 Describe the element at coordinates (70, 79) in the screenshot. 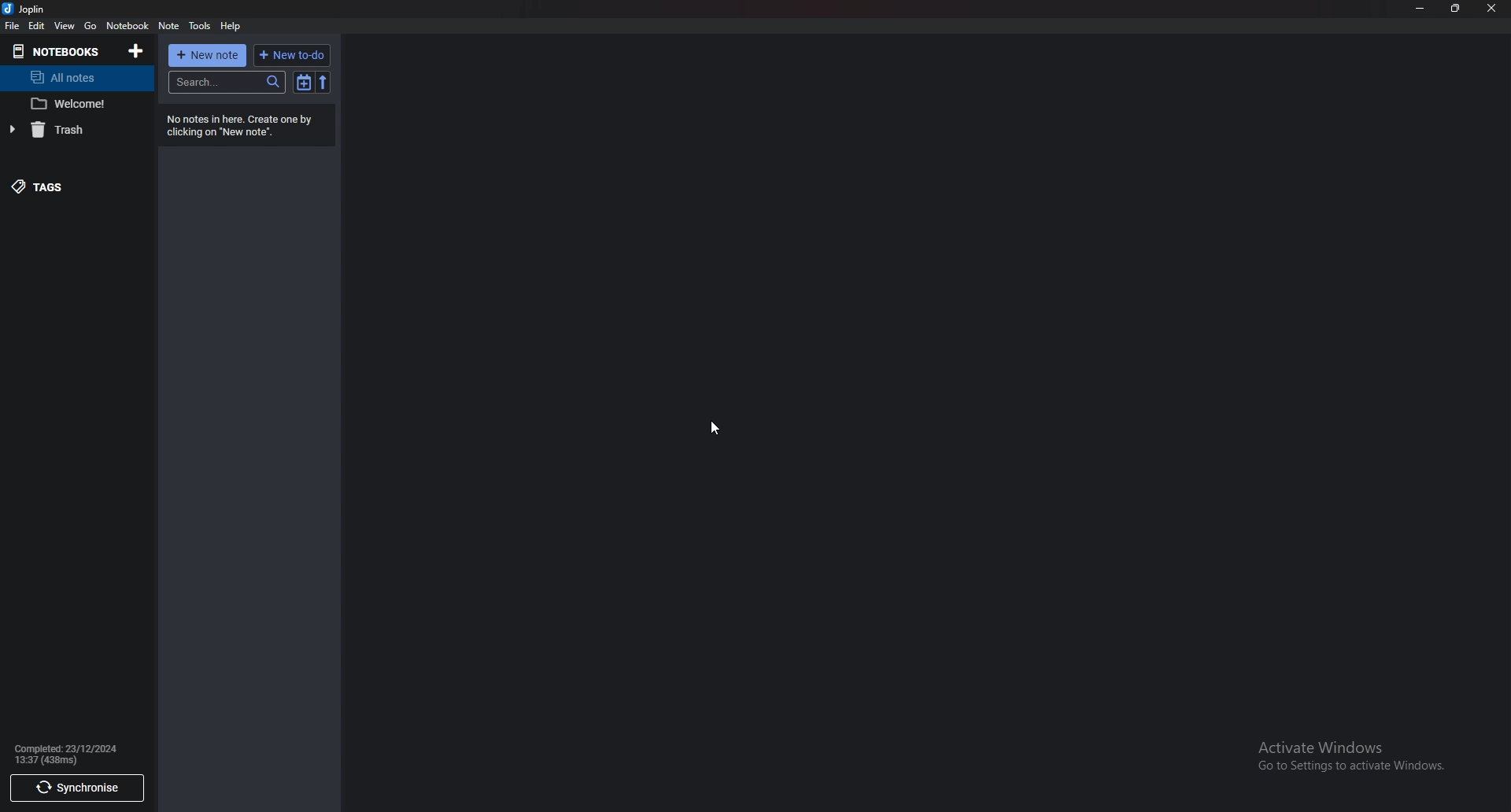

I see `All notes` at that location.